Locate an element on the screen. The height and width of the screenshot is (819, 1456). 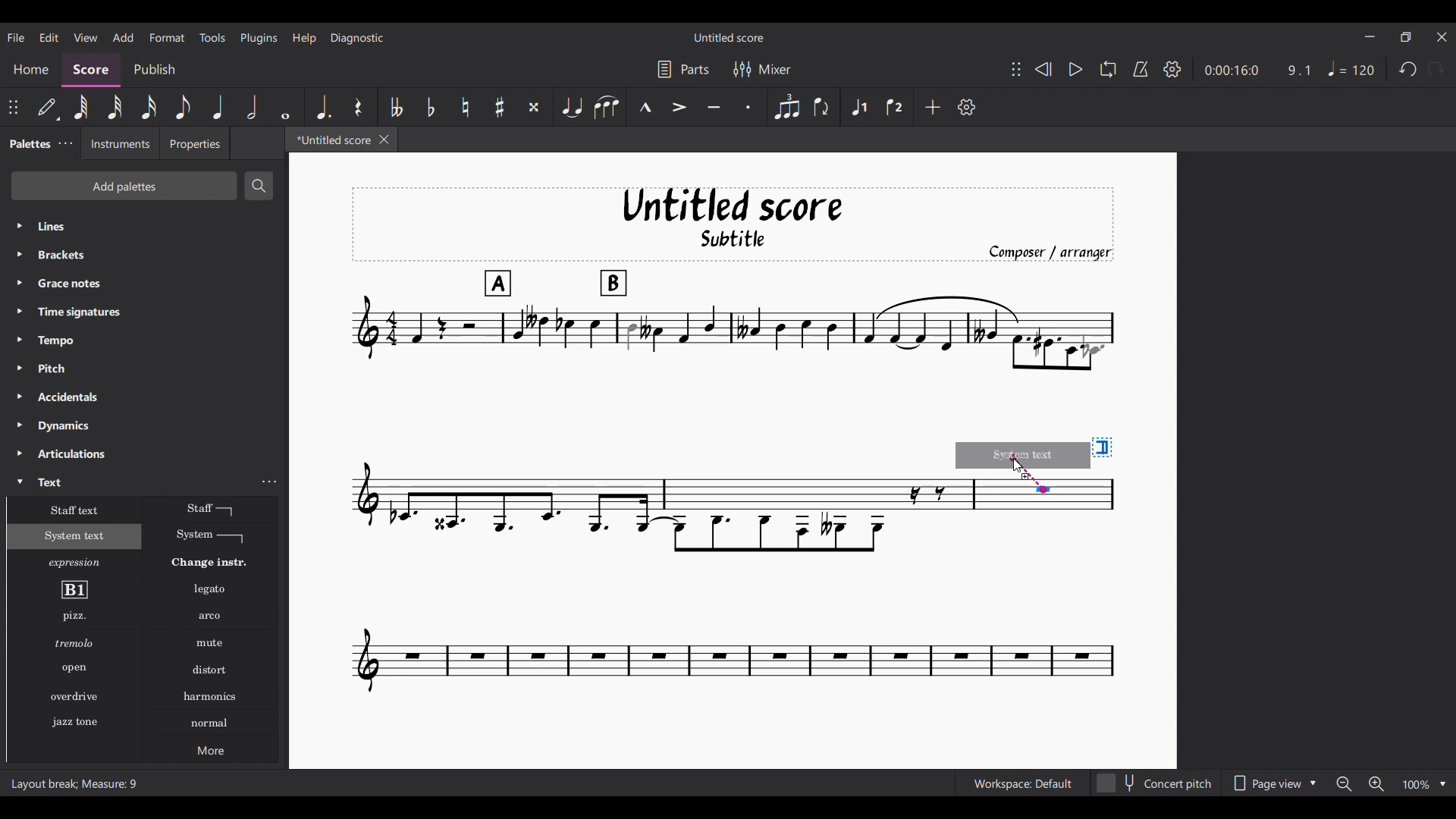
Accent is located at coordinates (679, 107).